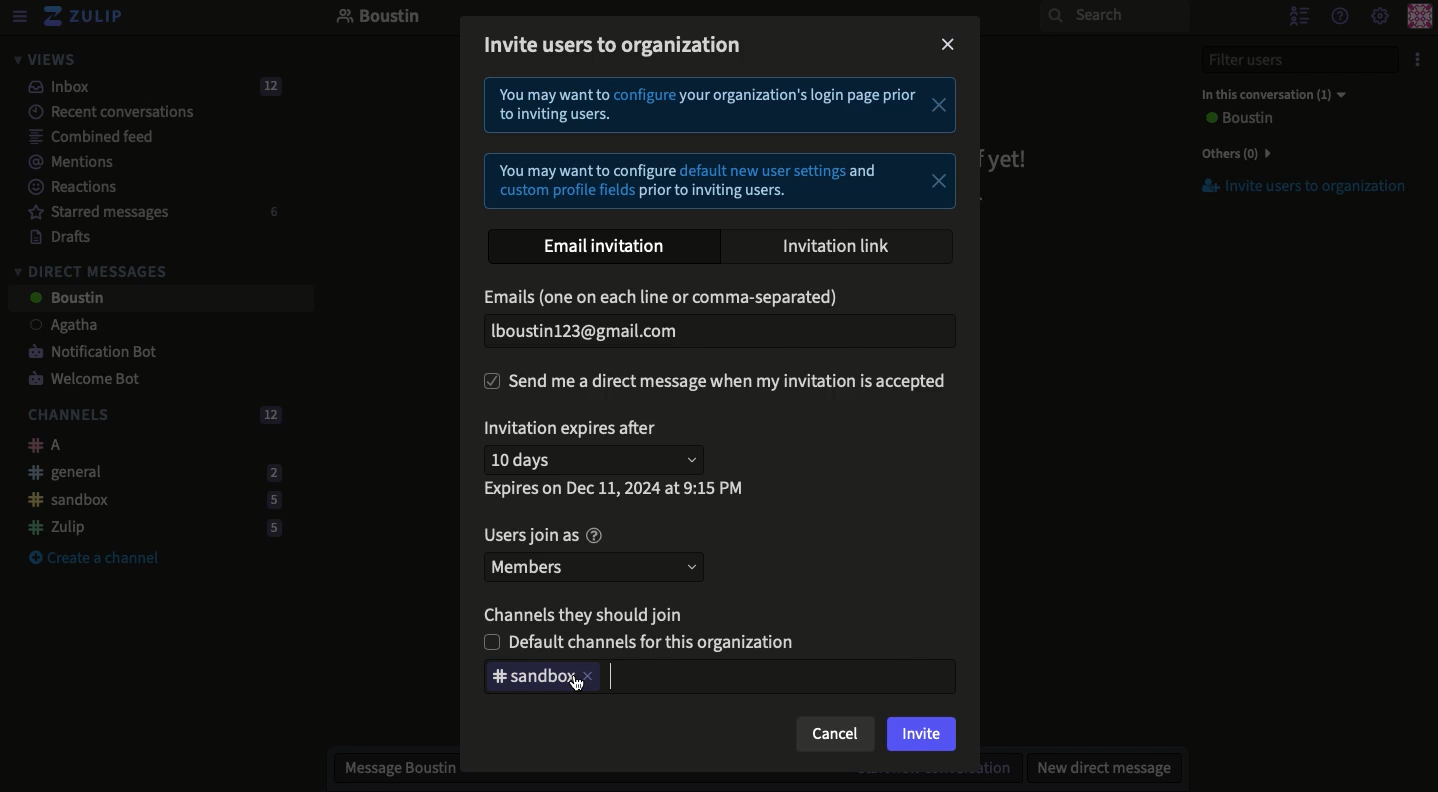 The height and width of the screenshot is (792, 1438). I want to click on Invite, so click(922, 736).